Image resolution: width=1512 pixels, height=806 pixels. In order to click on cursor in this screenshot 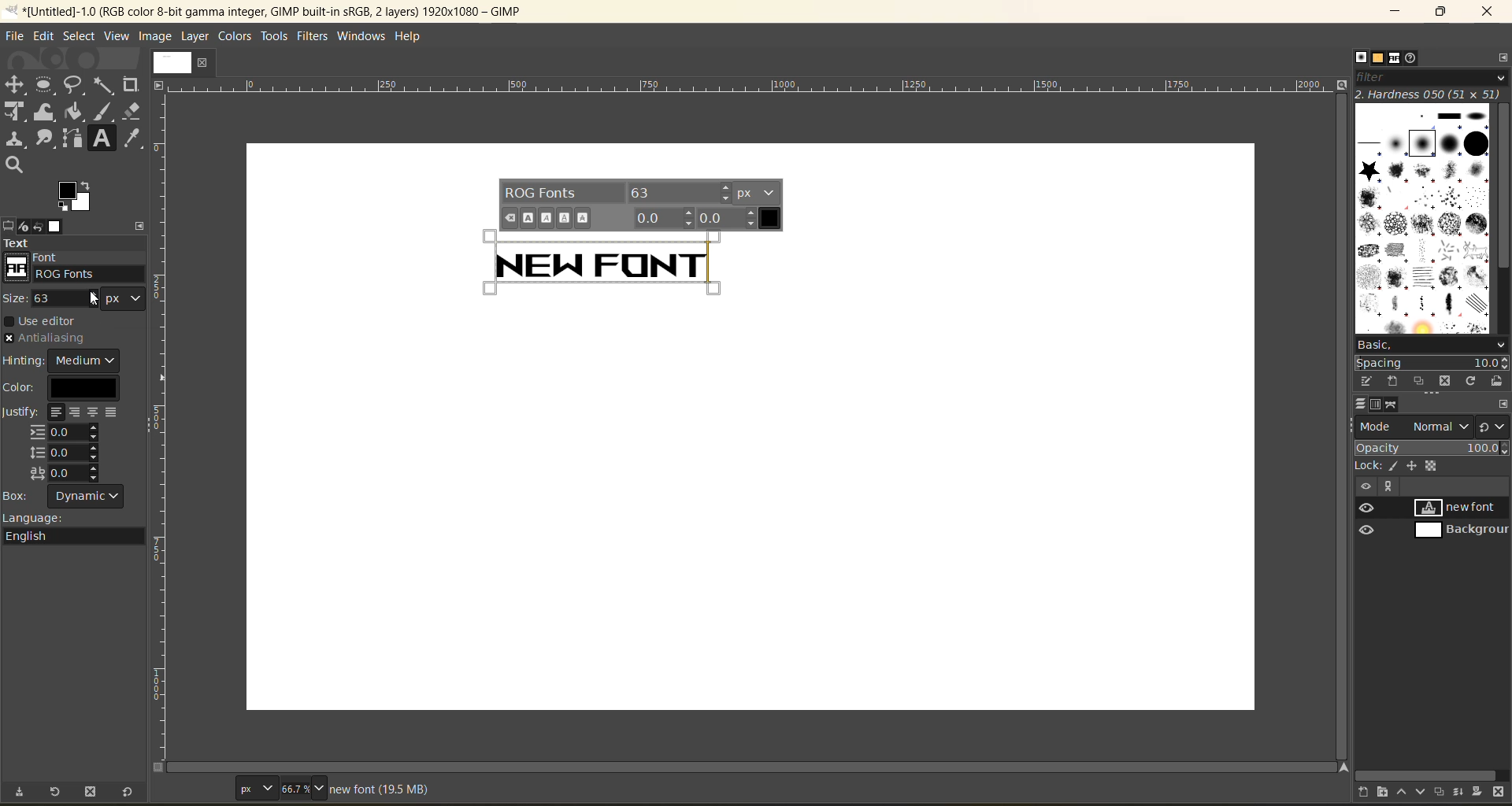, I will do `click(94, 298)`.